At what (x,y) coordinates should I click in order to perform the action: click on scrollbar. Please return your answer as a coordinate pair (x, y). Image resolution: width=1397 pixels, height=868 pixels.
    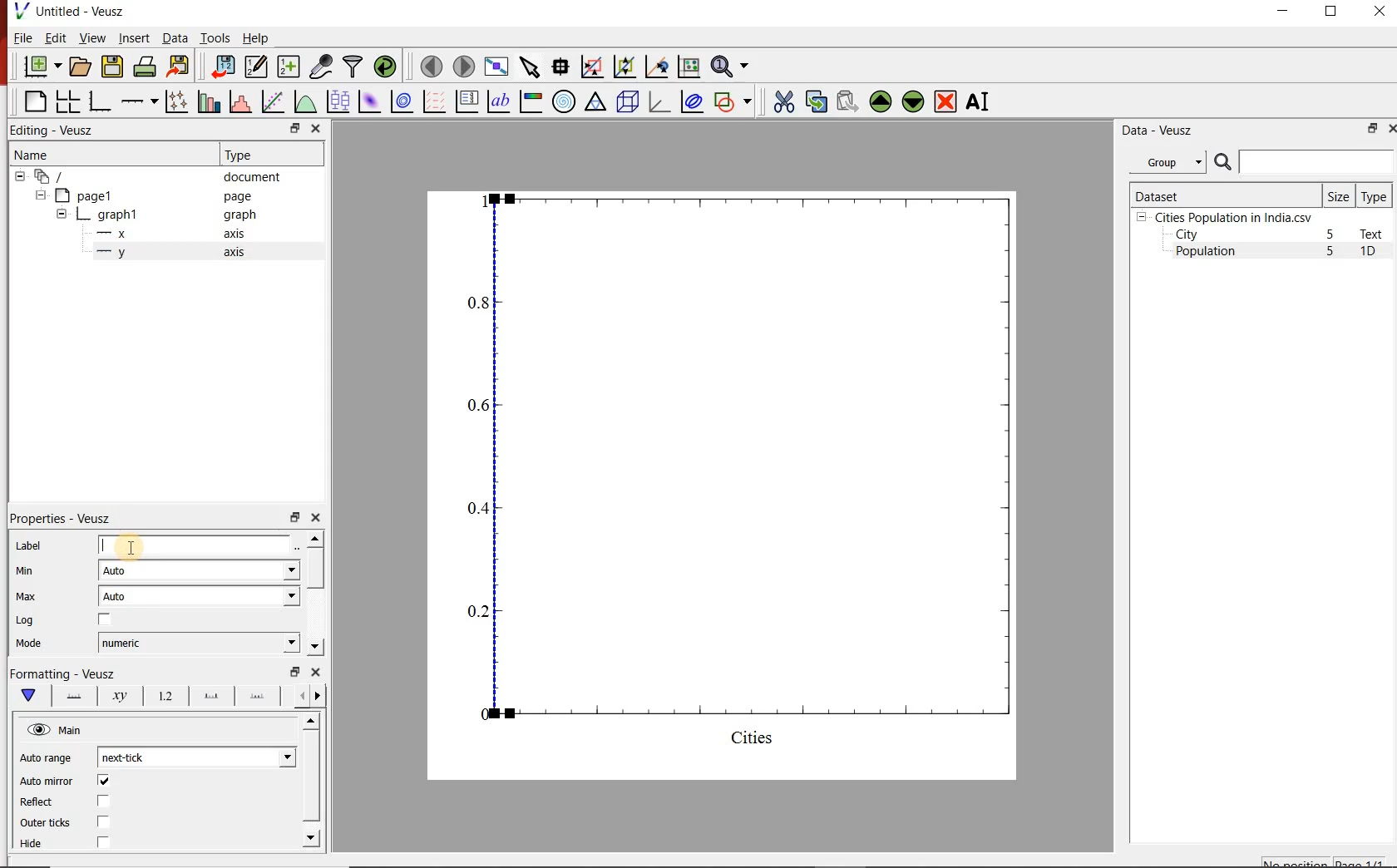
    Looking at the image, I should click on (315, 594).